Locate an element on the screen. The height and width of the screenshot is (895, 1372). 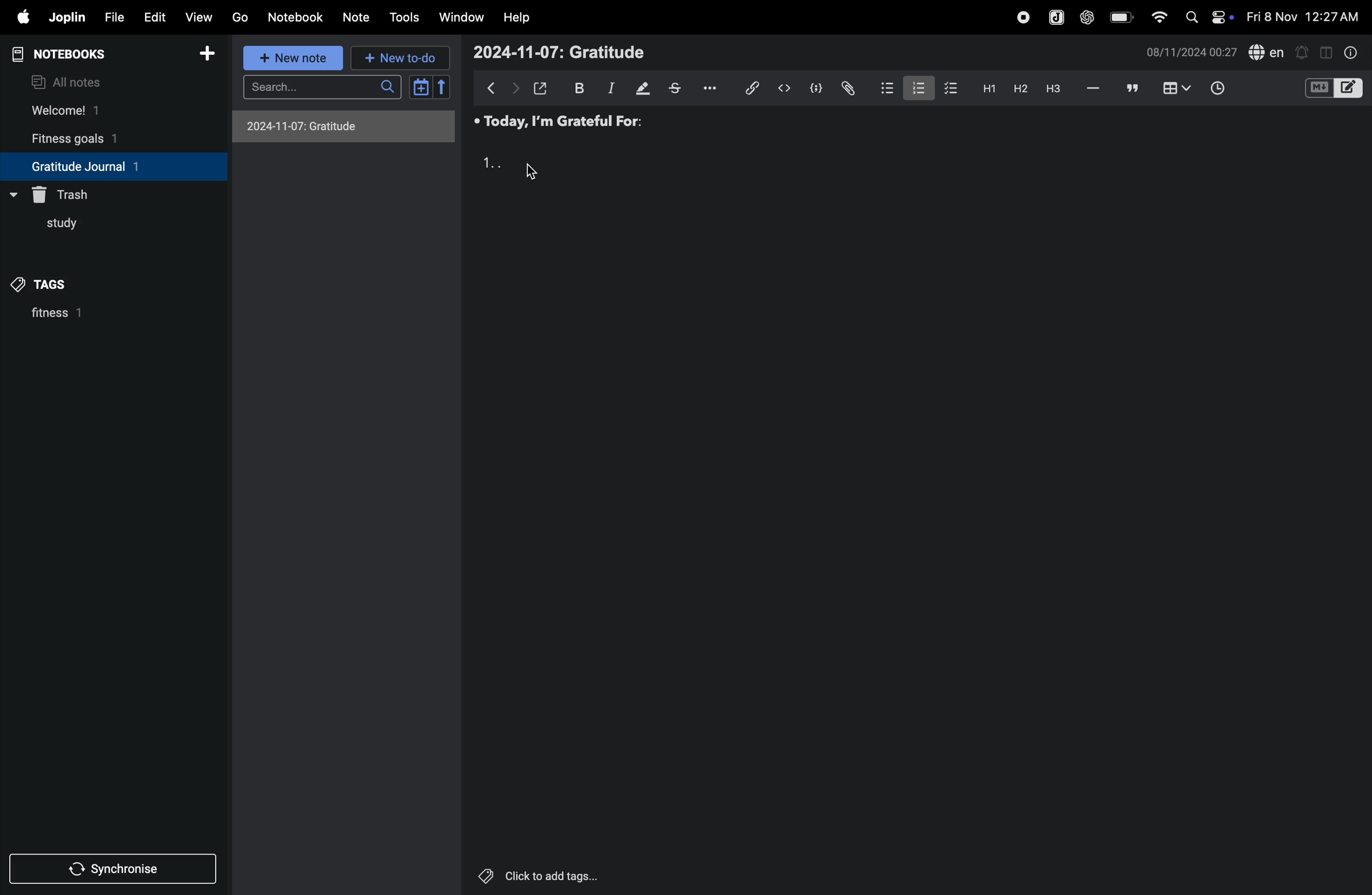
attach file is located at coordinates (847, 88).